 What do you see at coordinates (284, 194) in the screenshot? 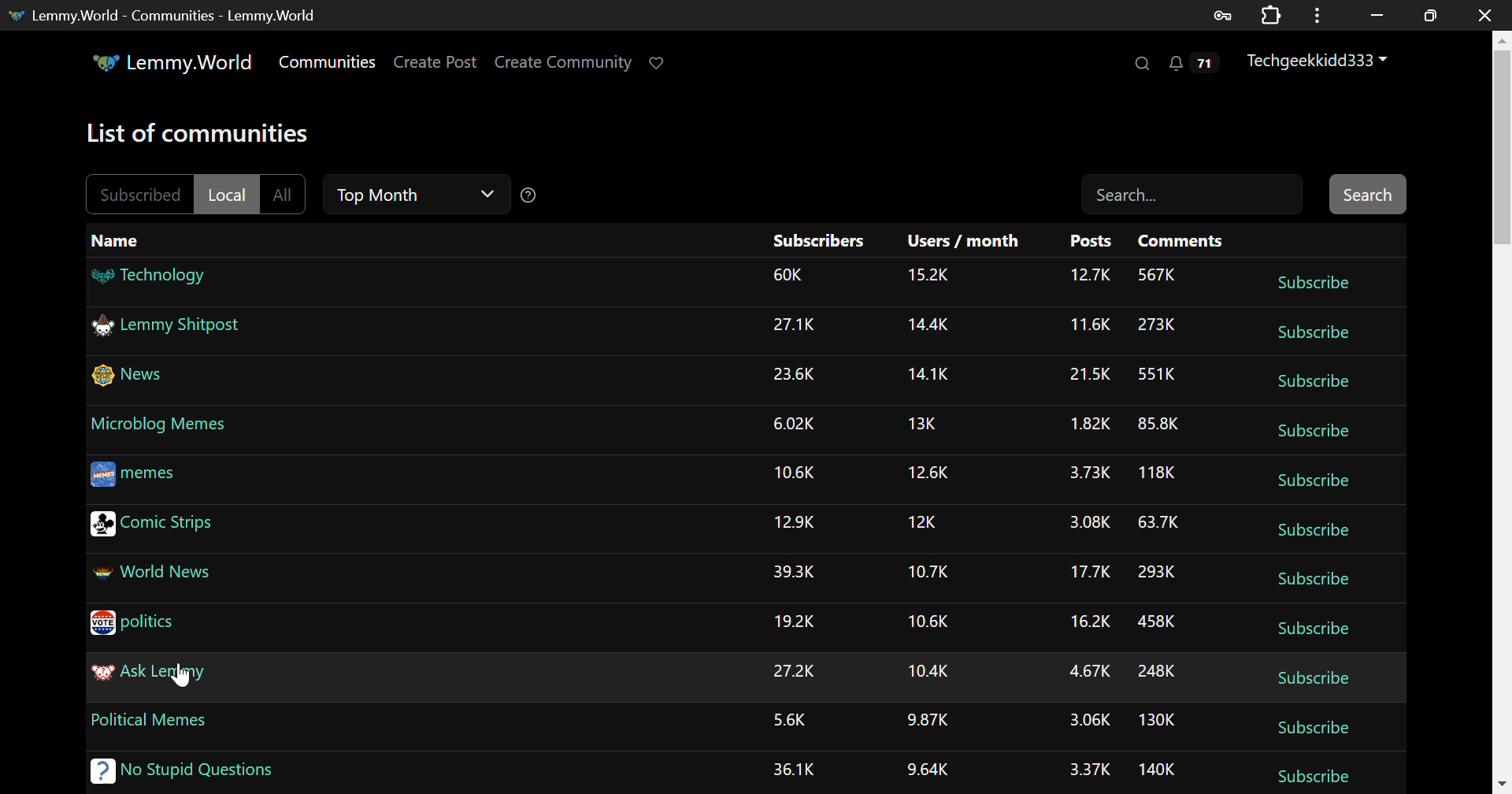
I see `All Filter Unselected` at bounding box center [284, 194].